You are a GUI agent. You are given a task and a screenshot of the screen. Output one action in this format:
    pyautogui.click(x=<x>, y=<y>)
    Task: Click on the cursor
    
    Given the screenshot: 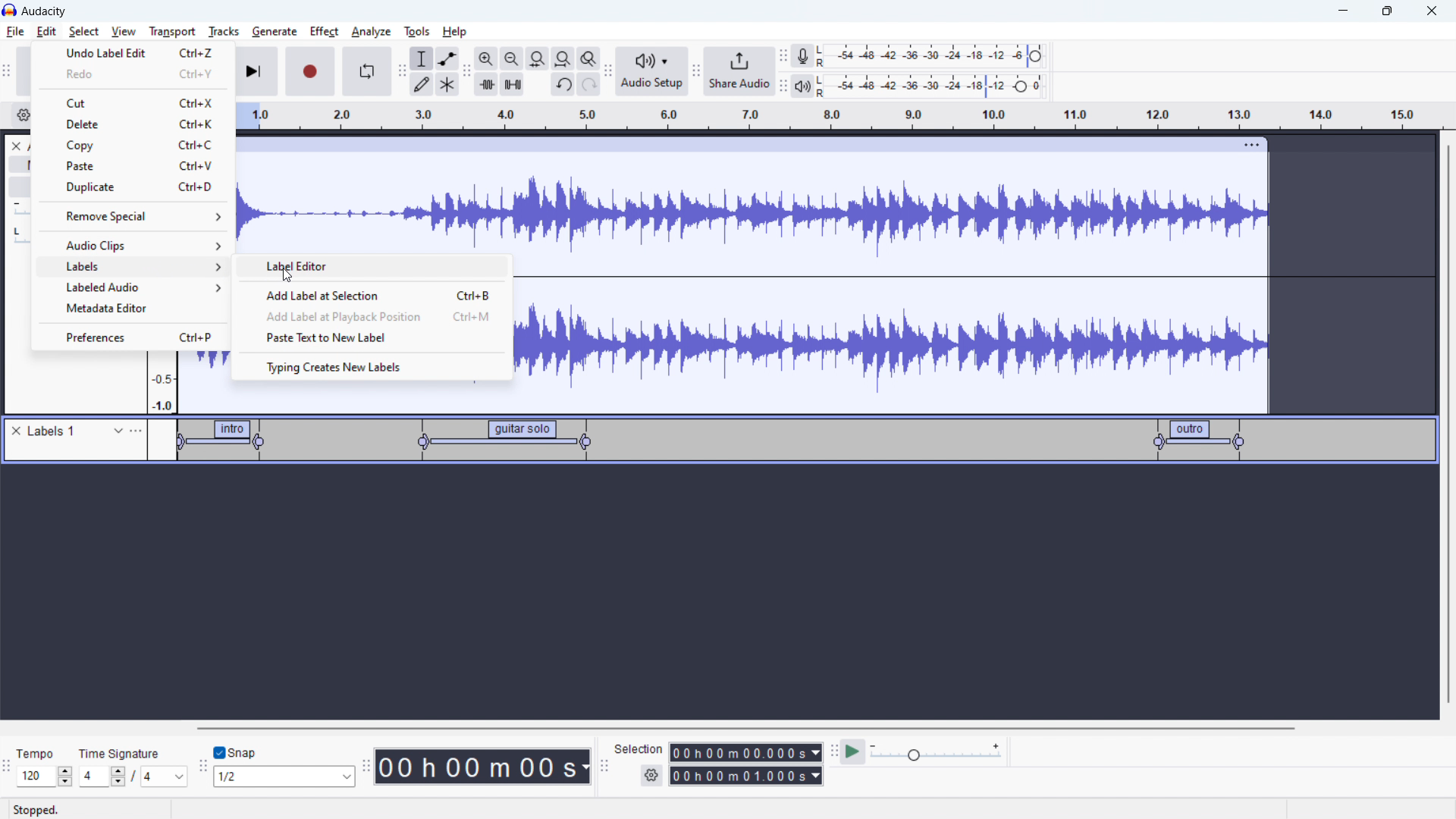 What is the action you would take?
    pyautogui.click(x=292, y=274)
    